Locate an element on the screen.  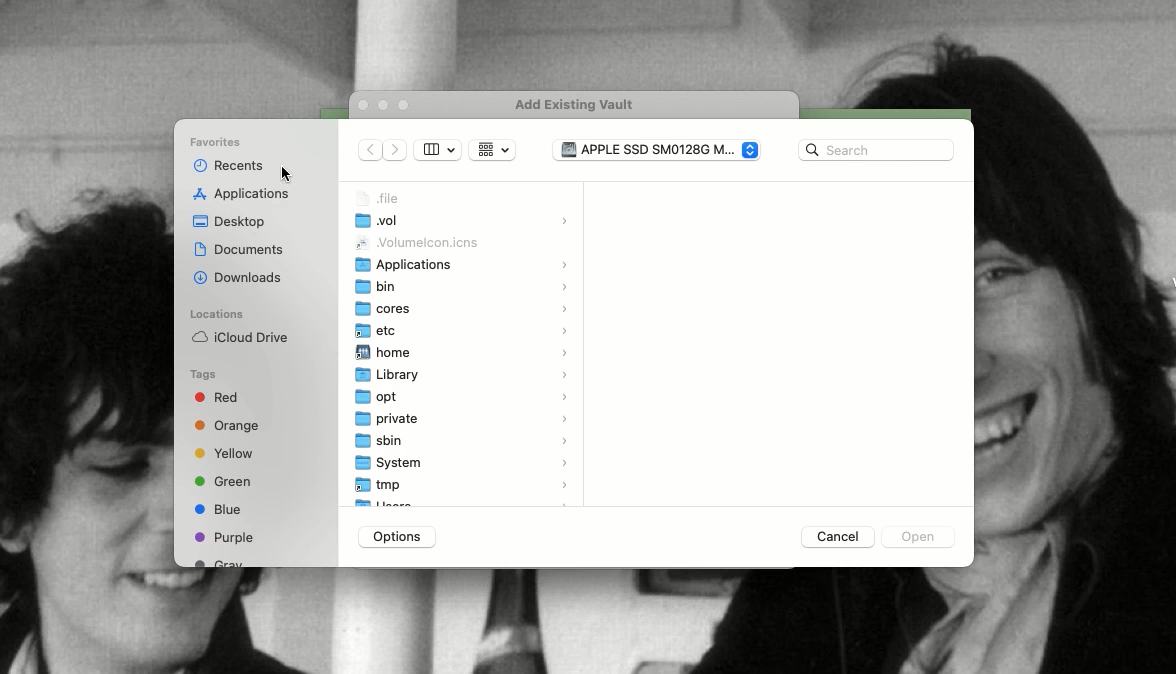
Favorites is located at coordinates (219, 143).